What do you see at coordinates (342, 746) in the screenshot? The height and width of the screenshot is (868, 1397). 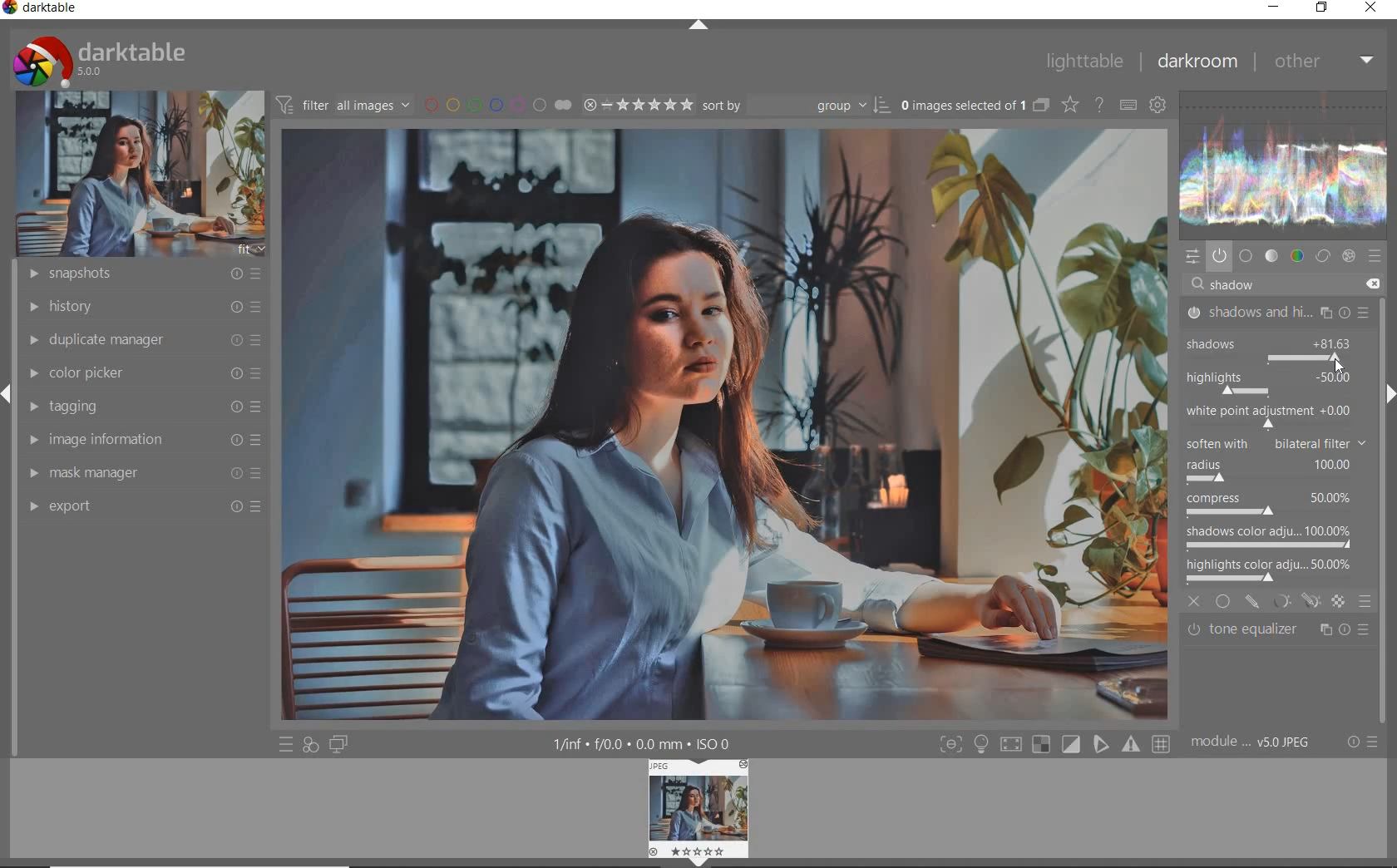 I see `display a second darkroom image widow` at bounding box center [342, 746].